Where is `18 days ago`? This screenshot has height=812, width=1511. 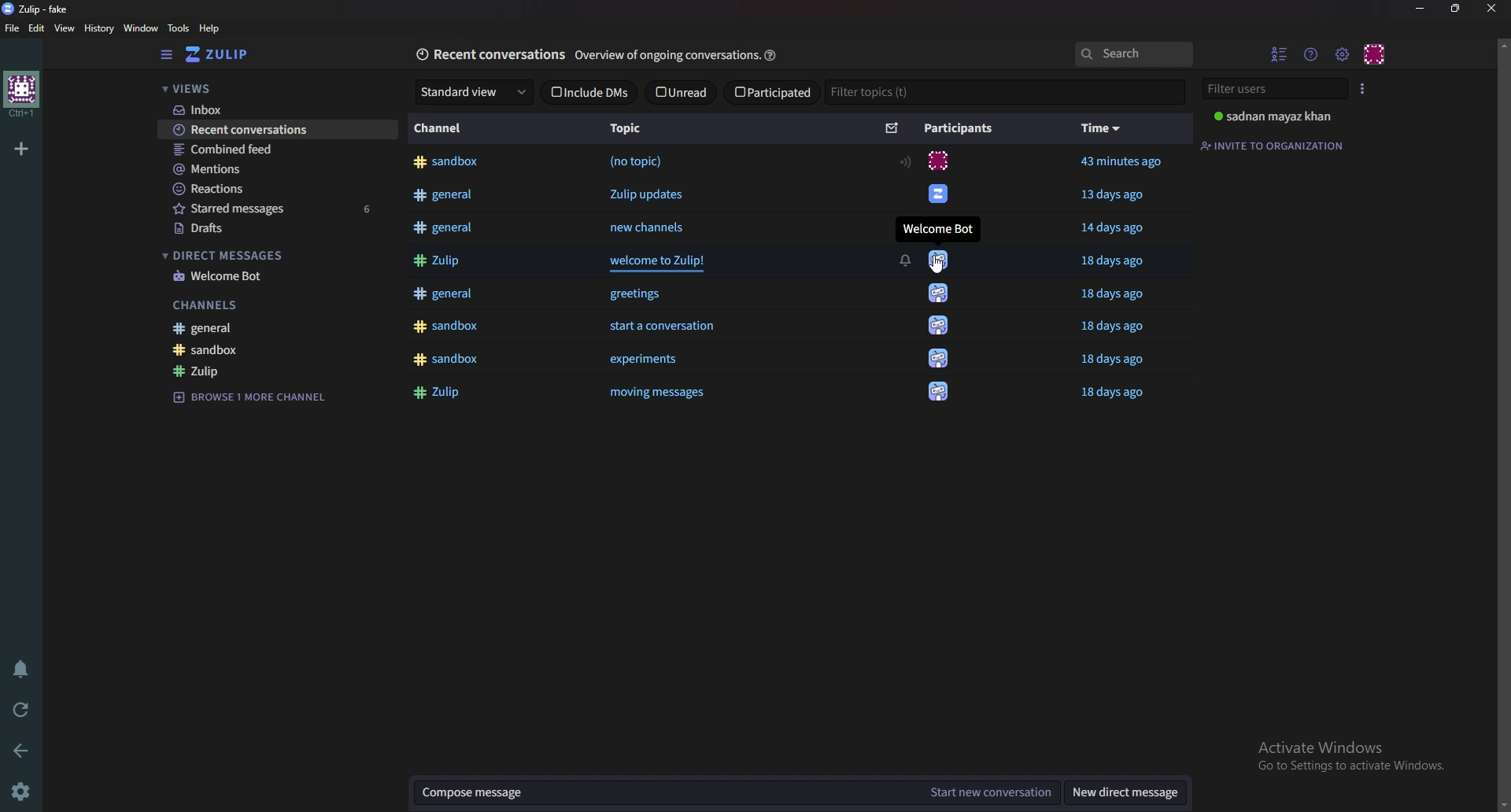
18 days ago is located at coordinates (1113, 260).